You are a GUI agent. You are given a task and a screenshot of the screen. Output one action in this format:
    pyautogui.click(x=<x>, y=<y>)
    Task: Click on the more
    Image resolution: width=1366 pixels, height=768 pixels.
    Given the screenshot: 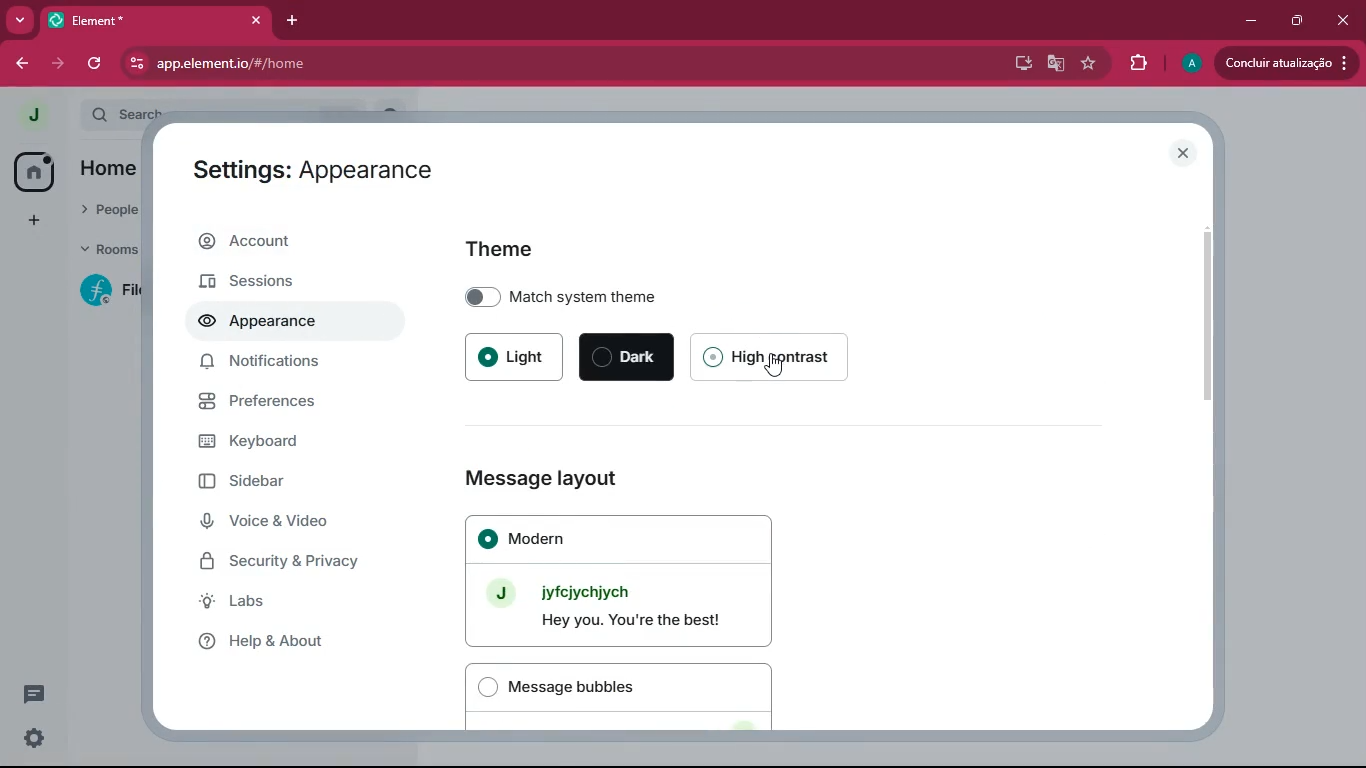 What is the action you would take?
    pyautogui.click(x=31, y=221)
    